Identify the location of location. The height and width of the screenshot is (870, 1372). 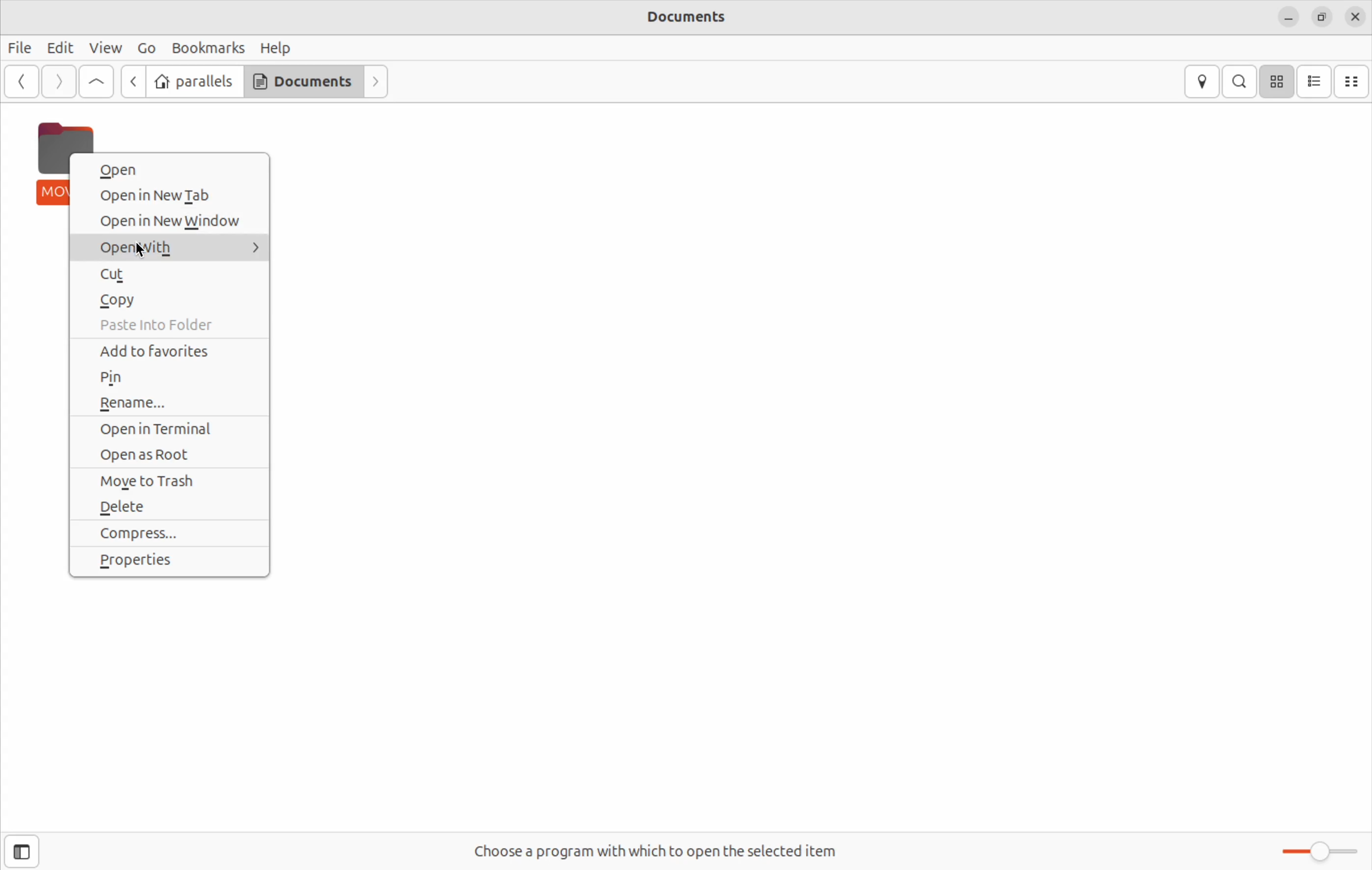
(1201, 82).